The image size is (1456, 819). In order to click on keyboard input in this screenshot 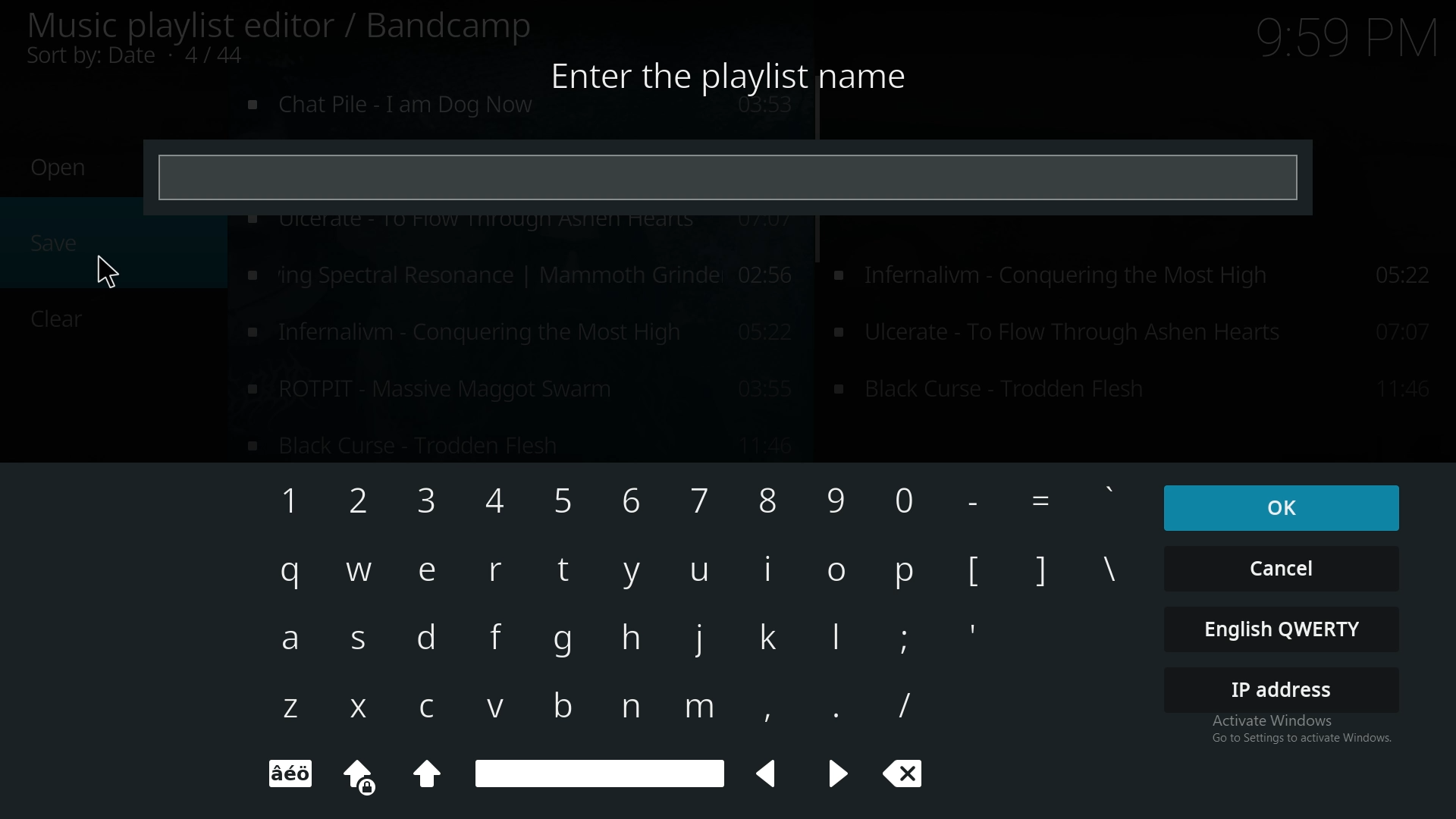, I will do `click(359, 498)`.